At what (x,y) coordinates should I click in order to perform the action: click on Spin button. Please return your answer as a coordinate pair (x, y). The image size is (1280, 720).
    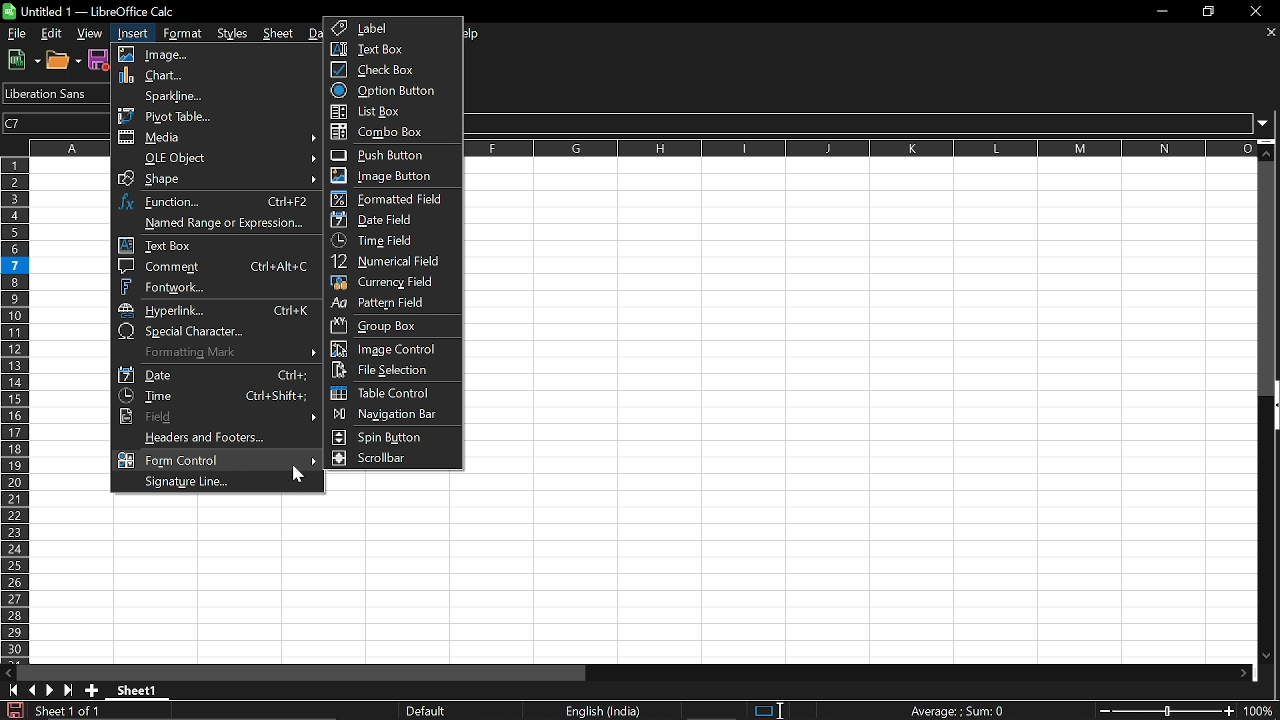
    Looking at the image, I should click on (384, 438).